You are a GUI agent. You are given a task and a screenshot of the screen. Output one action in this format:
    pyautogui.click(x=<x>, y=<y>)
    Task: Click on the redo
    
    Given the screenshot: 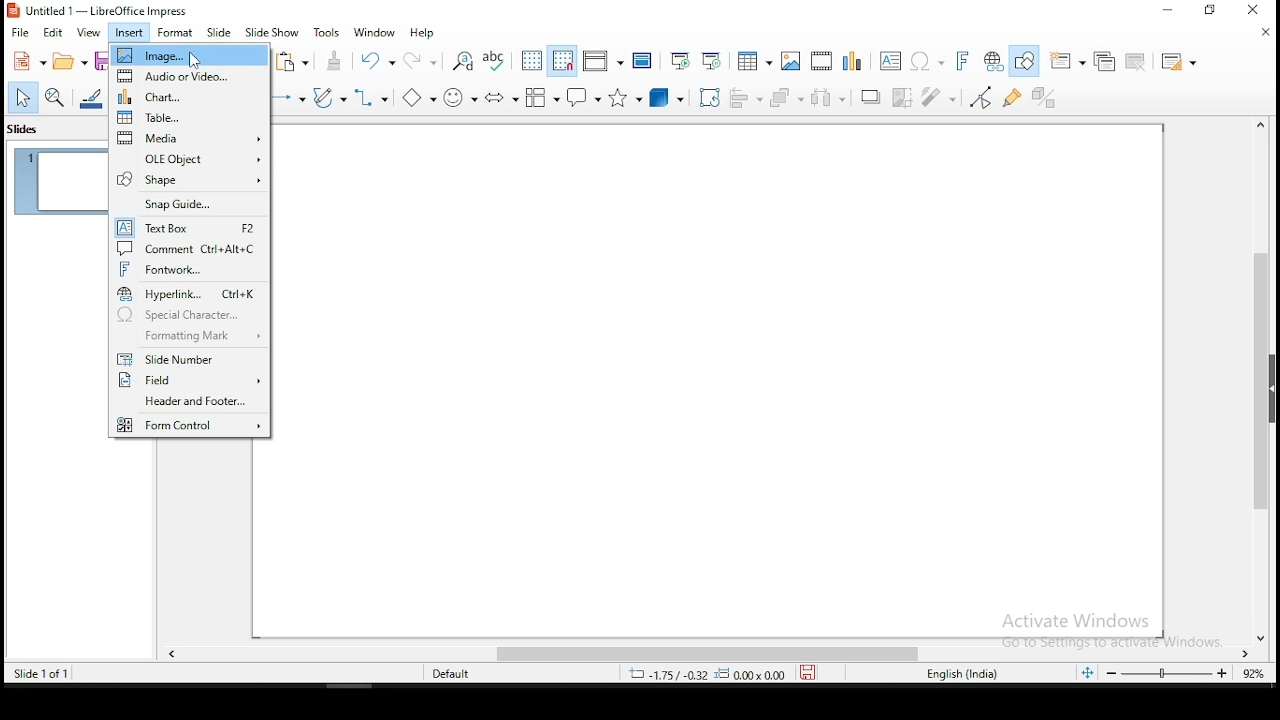 What is the action you would take?
    pyautogui.click(x=424, y=61)
    